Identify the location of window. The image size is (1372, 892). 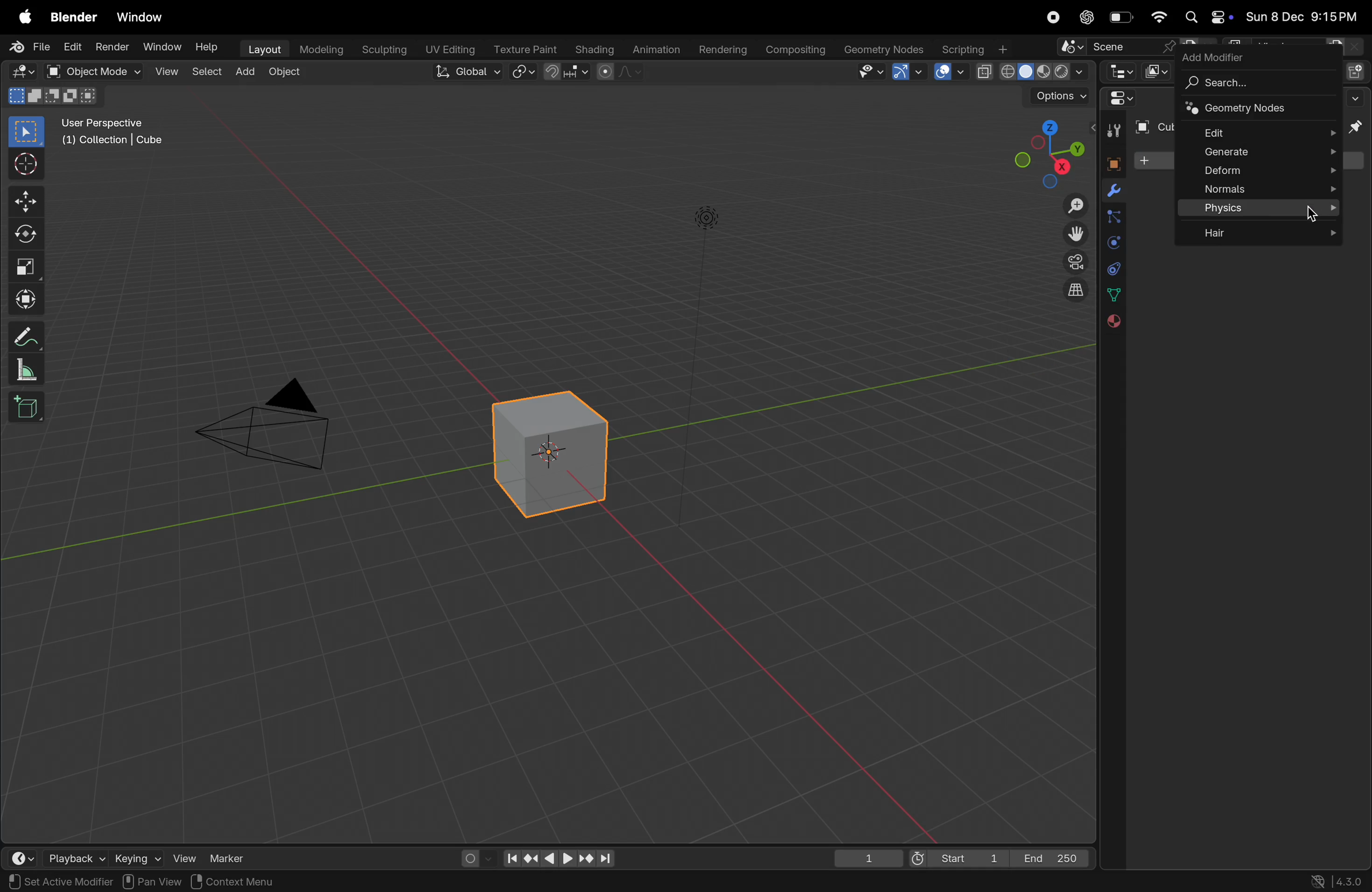
(159, 47).